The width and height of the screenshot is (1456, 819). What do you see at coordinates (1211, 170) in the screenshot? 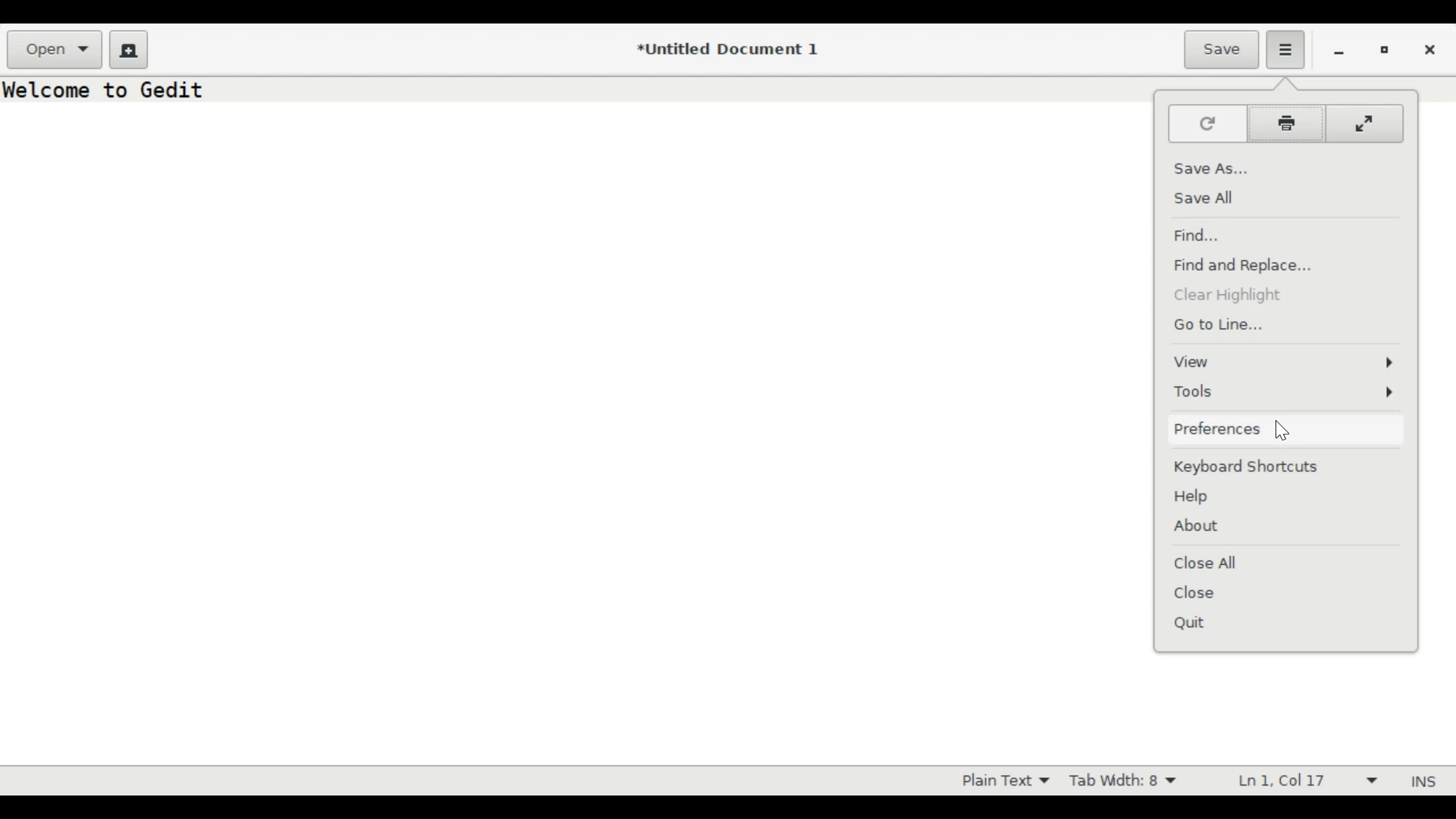
I see `Save As` at bounding box center [1211, 170].